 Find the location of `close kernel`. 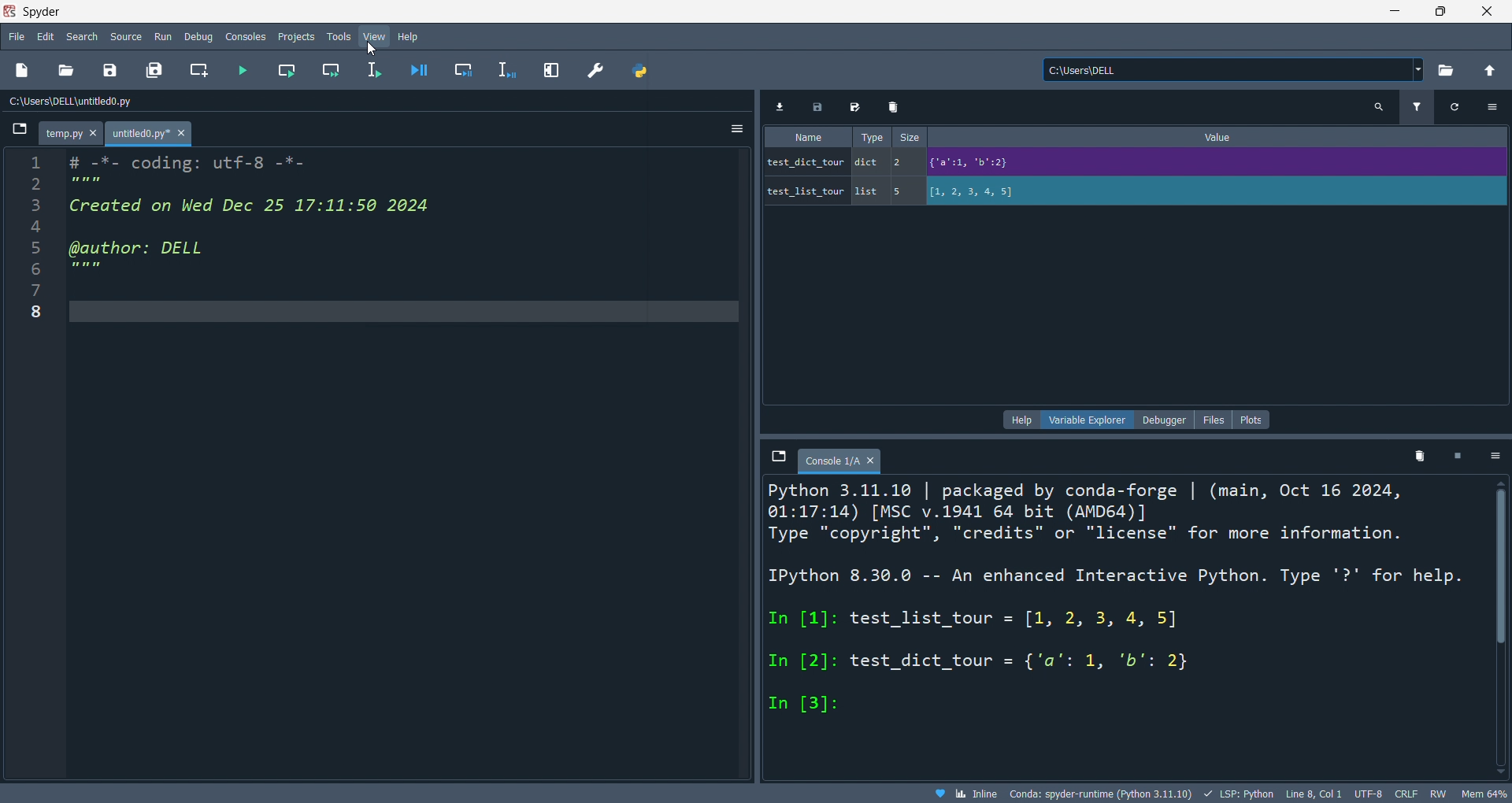

close kernel is located at coordinates (1459, 458).